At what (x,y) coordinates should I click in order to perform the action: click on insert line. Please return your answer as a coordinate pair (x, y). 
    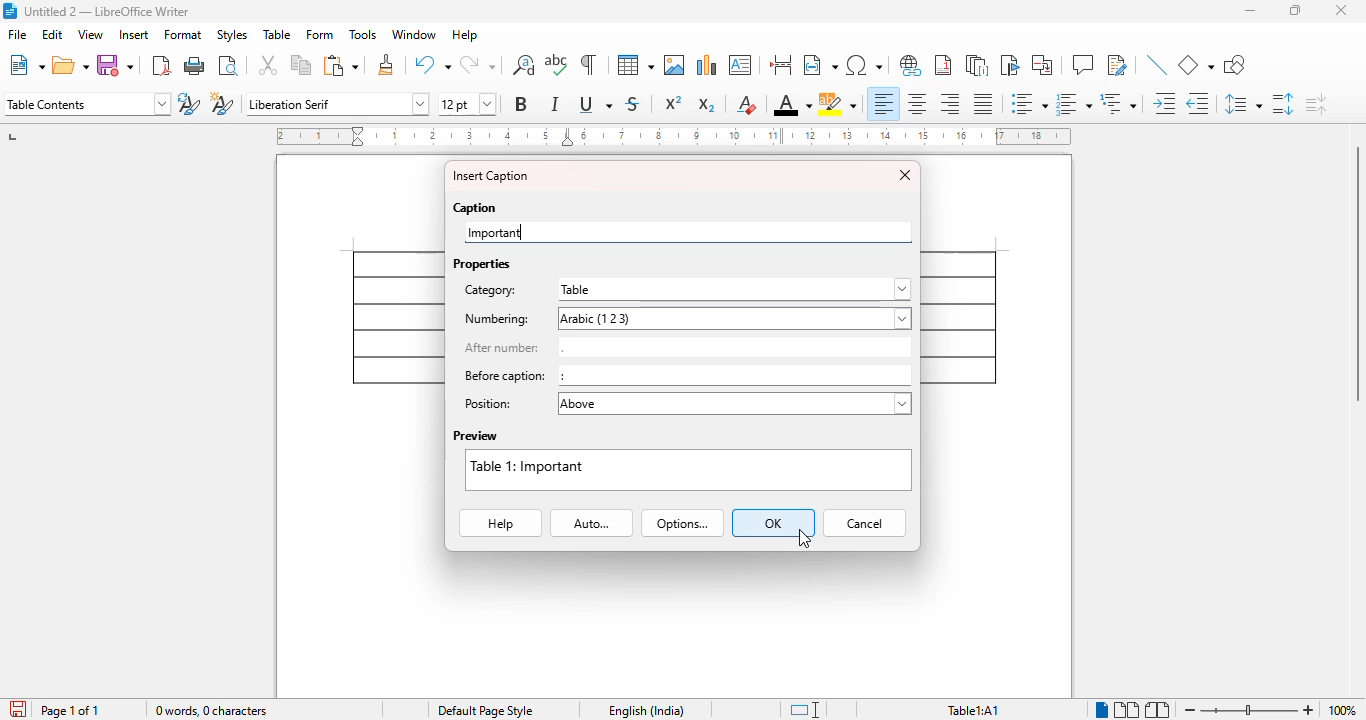
    Looking at the image, I should click on (1157, 64).